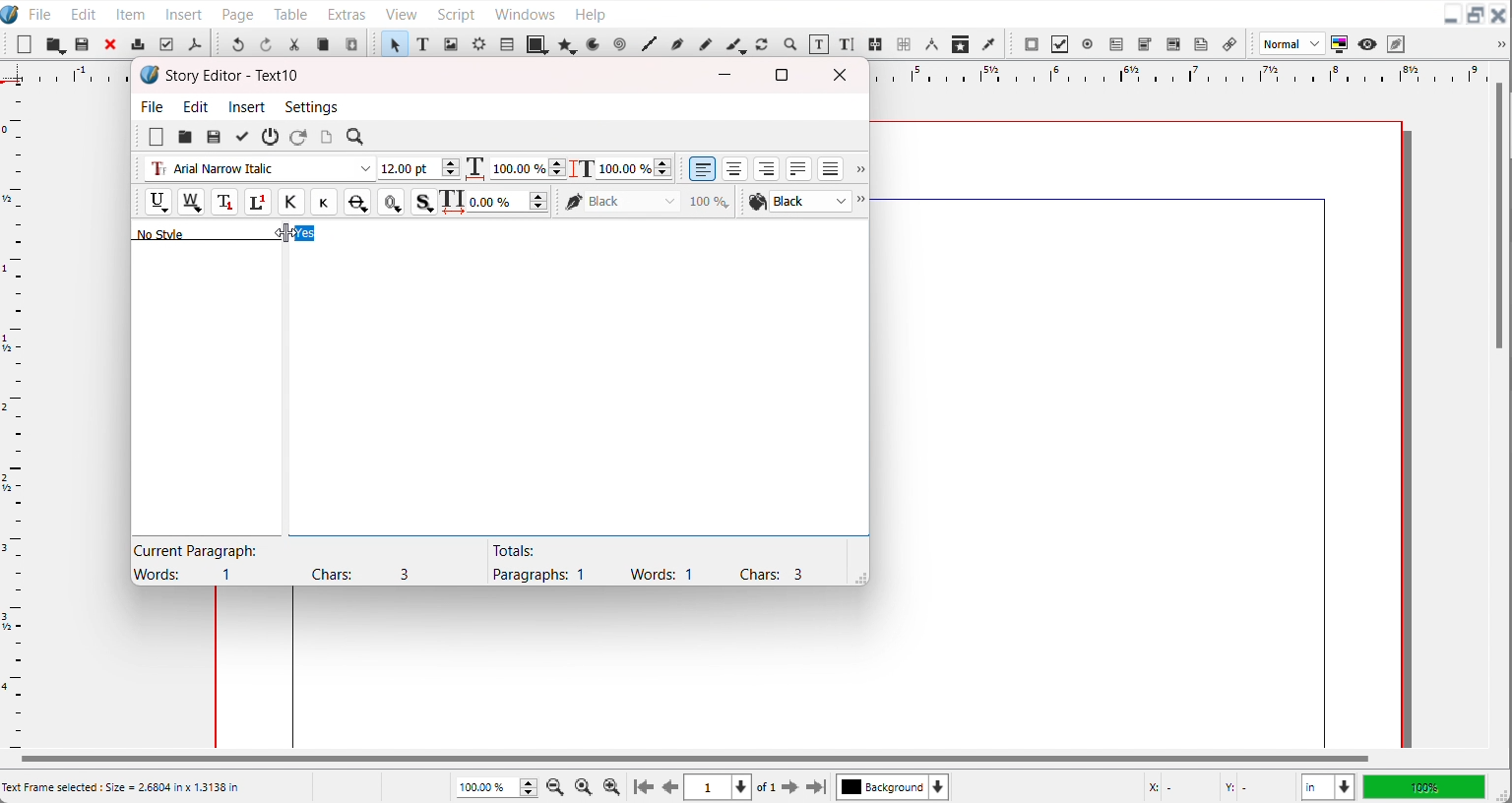  What do you see at coordinates (1032, 43) in the screenshot?
I see `PDF Push button` at bounding box center [1032, 43].